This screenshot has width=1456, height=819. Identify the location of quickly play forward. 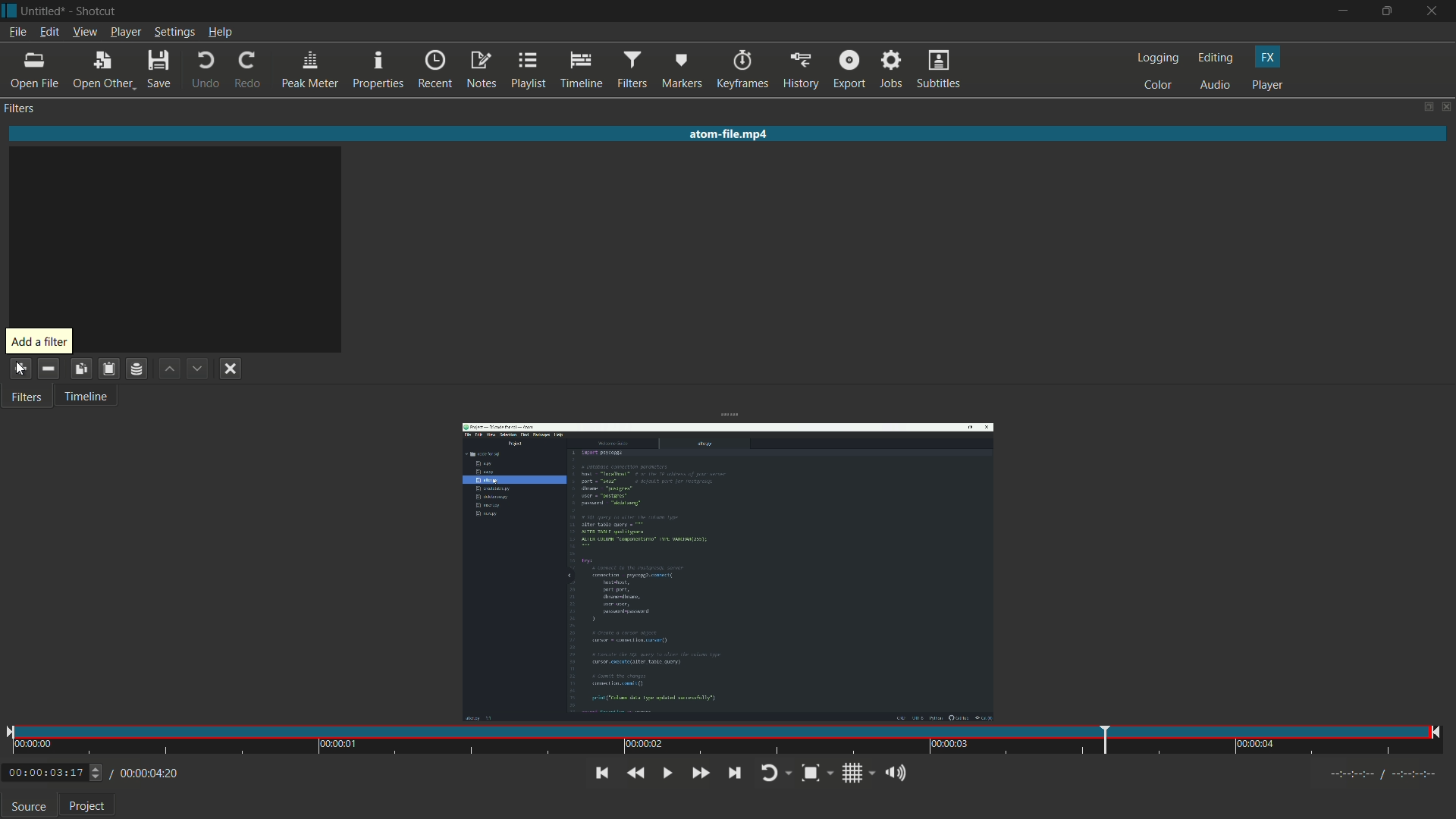
(700, 774).